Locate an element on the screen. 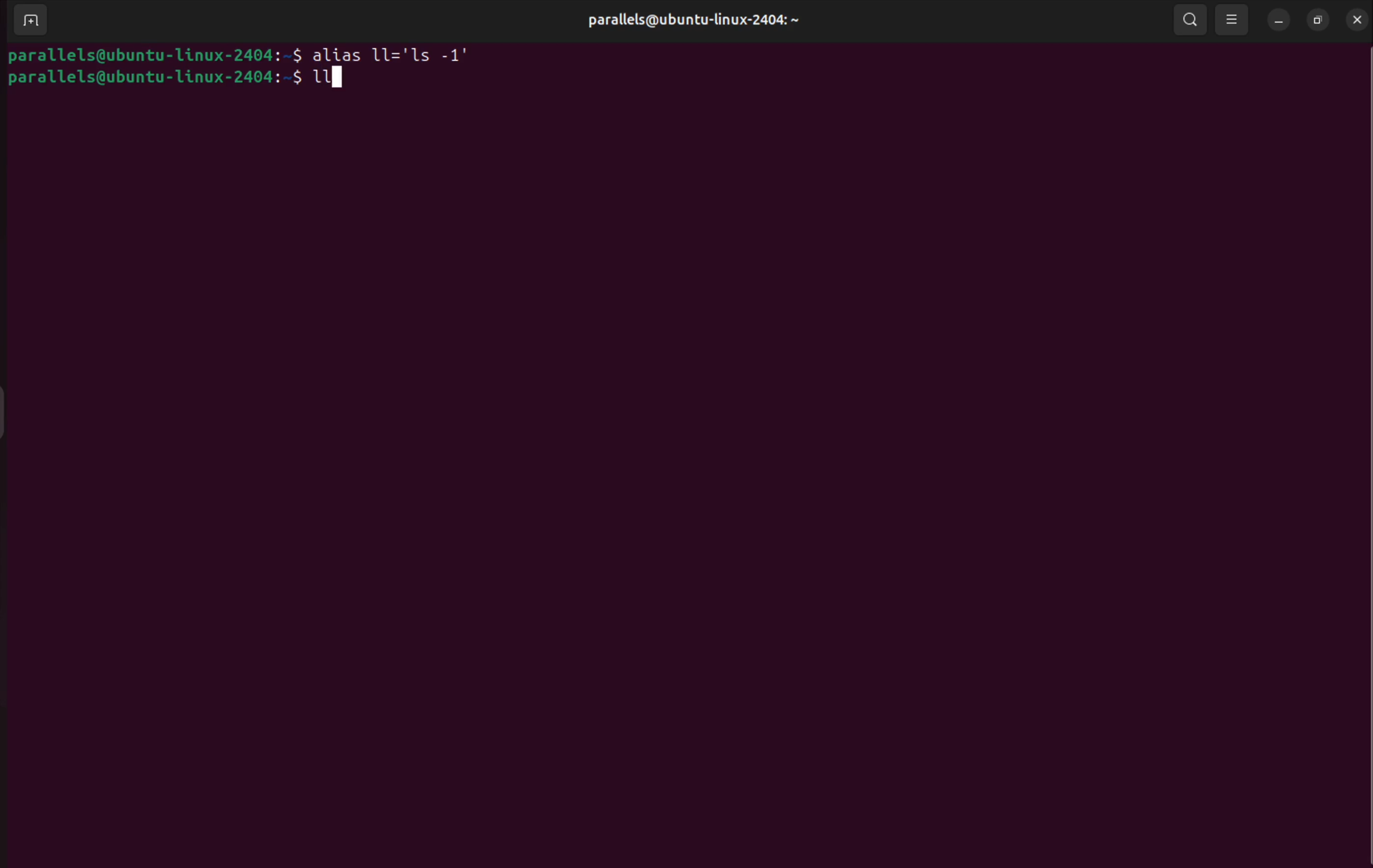 Image resolution: width=1373 pixels, height=868 pixels. alias 11="ls -1" is located at coordinates (399, 54).